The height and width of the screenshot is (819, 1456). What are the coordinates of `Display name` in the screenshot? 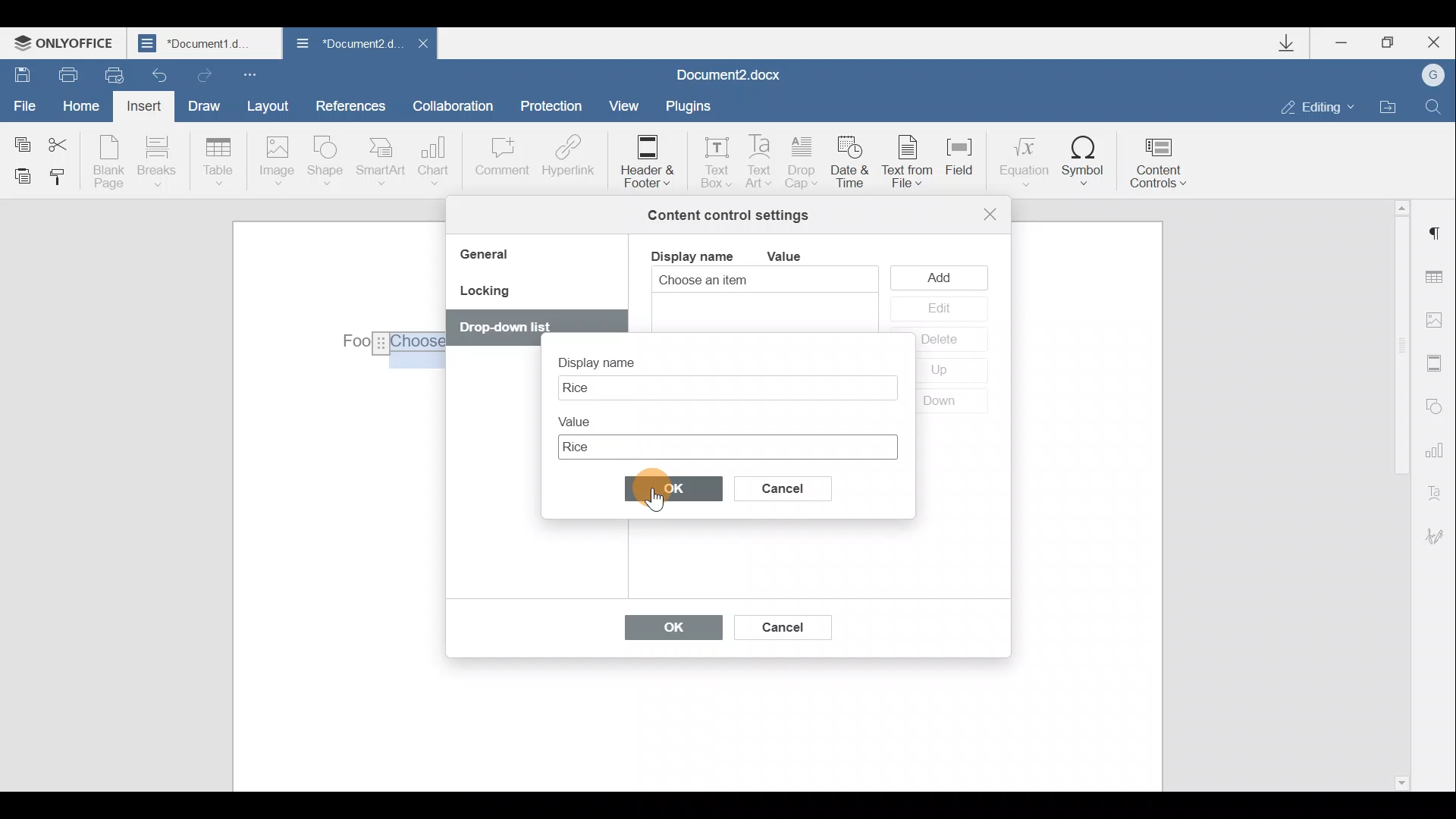 It's located at (691, 255).